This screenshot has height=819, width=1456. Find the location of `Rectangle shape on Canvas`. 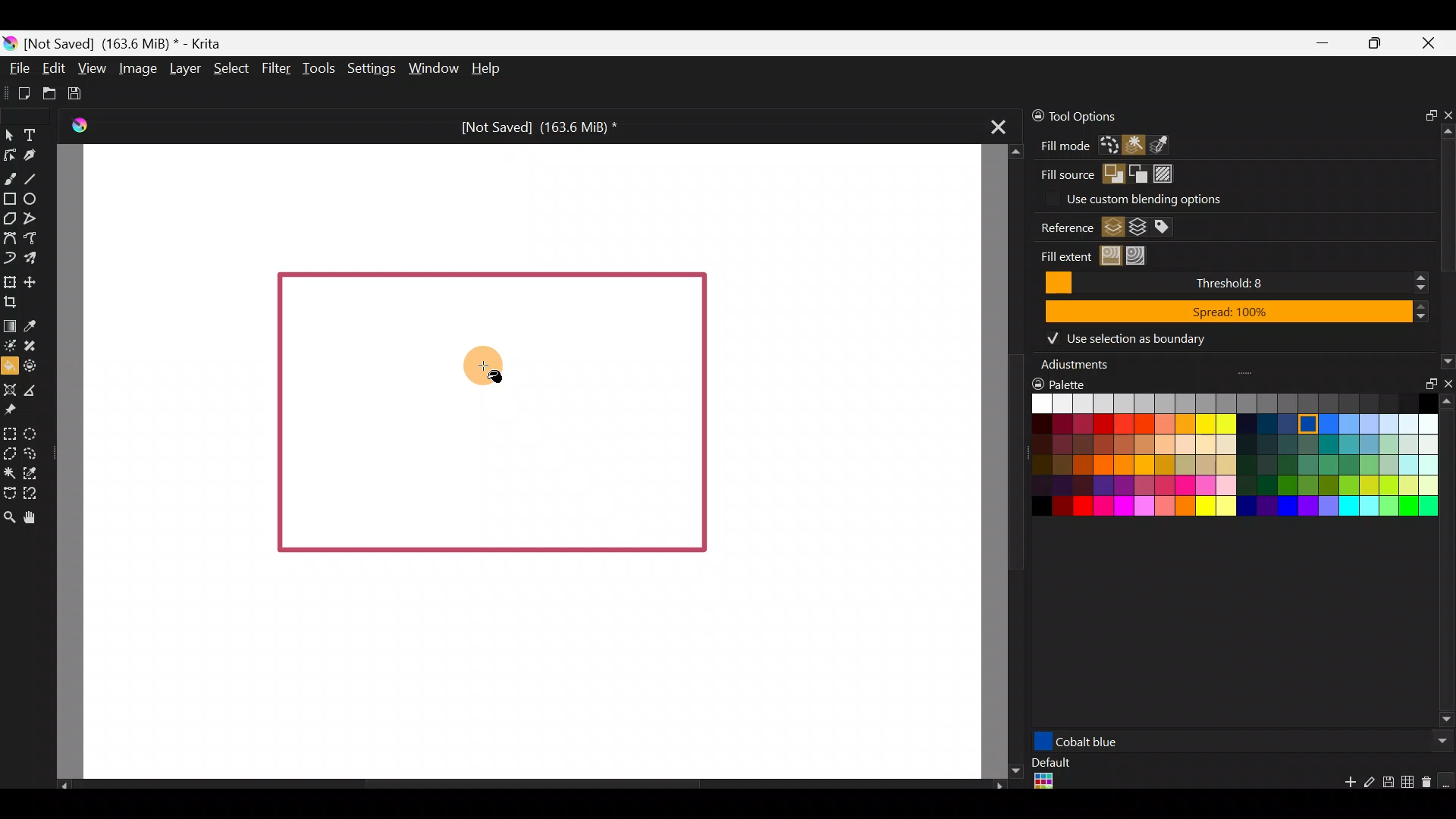

Rectangle shape on Canvas is located at coordinates (489, 409).